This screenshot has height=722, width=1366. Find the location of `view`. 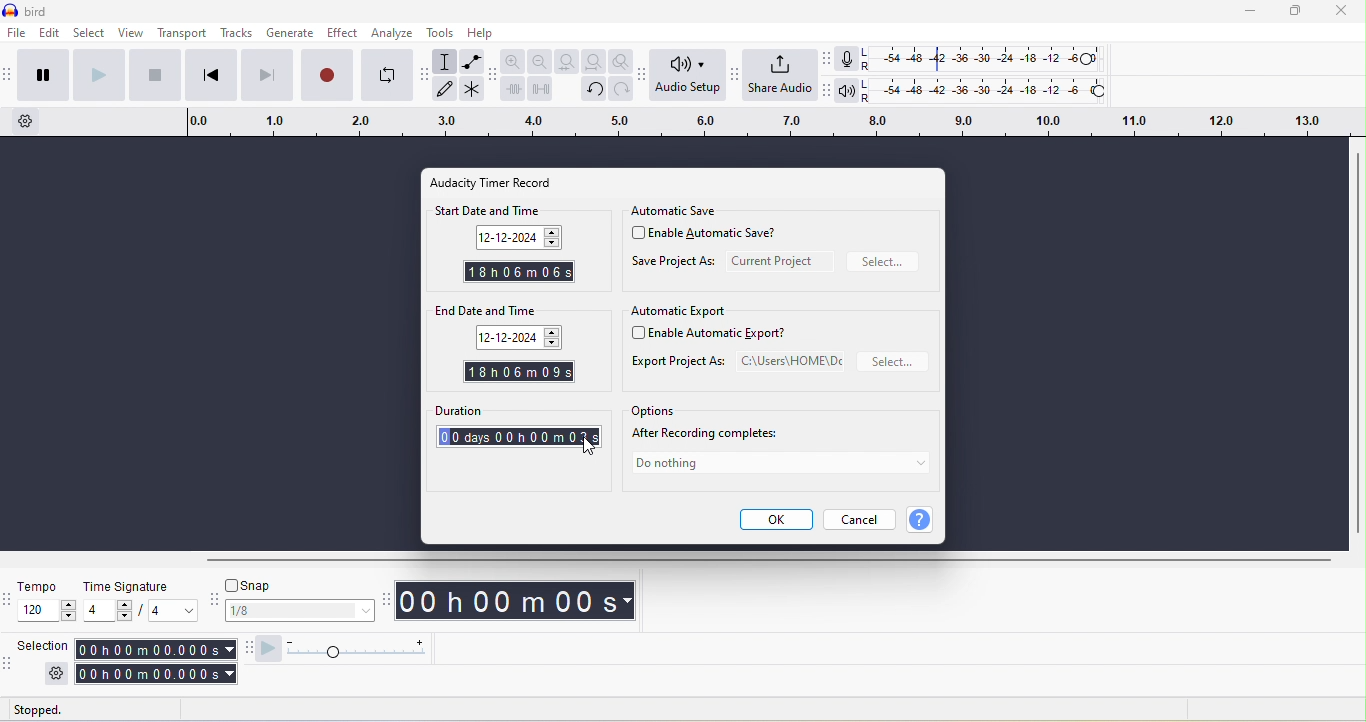

view is located at coordinates (135, 35).